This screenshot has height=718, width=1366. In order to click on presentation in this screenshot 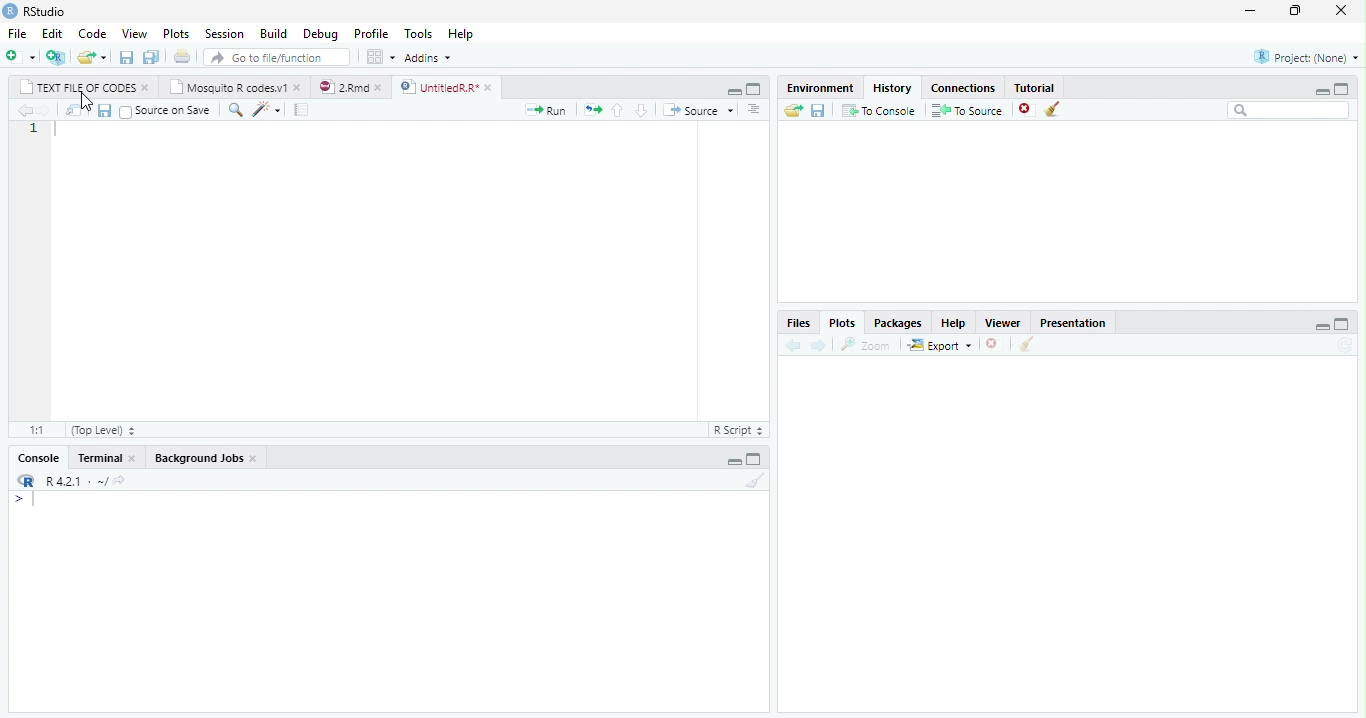, I will do `click(1068, 321)`.